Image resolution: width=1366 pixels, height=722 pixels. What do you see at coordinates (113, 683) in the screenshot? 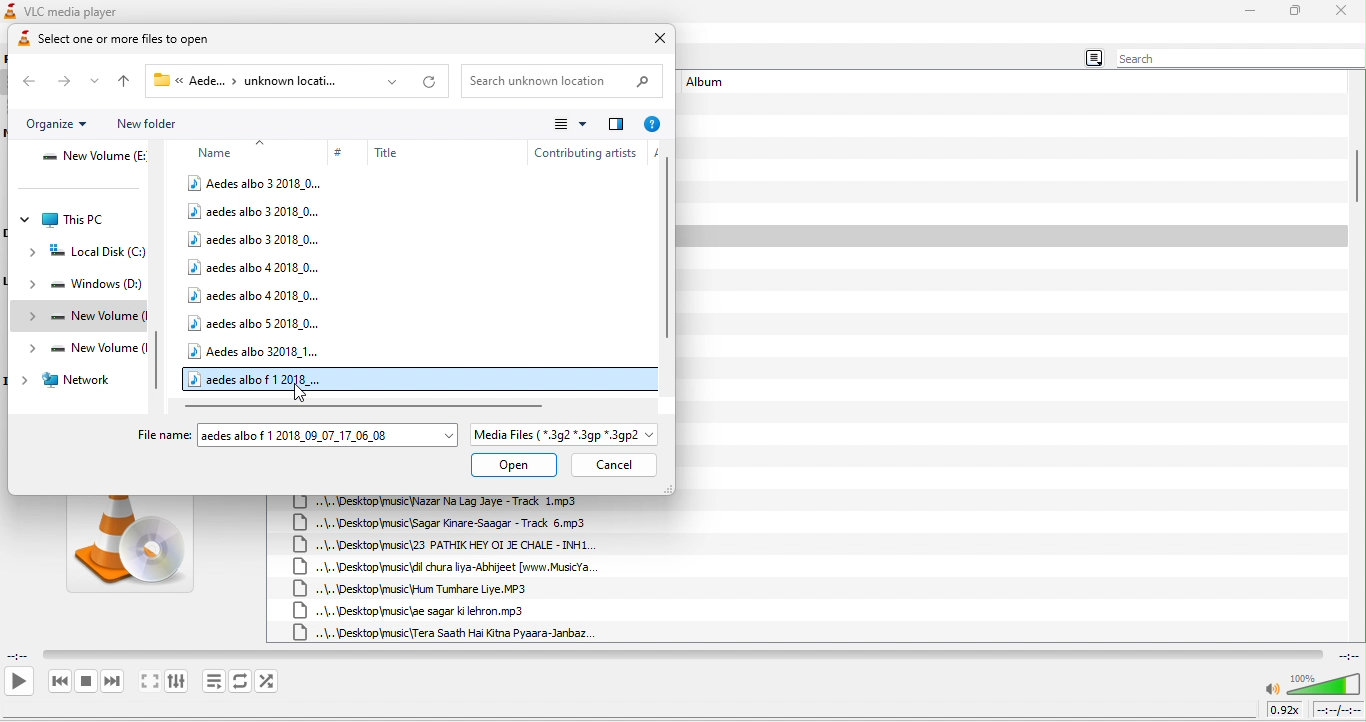
I see `next media` at bounding box center [113, 683].